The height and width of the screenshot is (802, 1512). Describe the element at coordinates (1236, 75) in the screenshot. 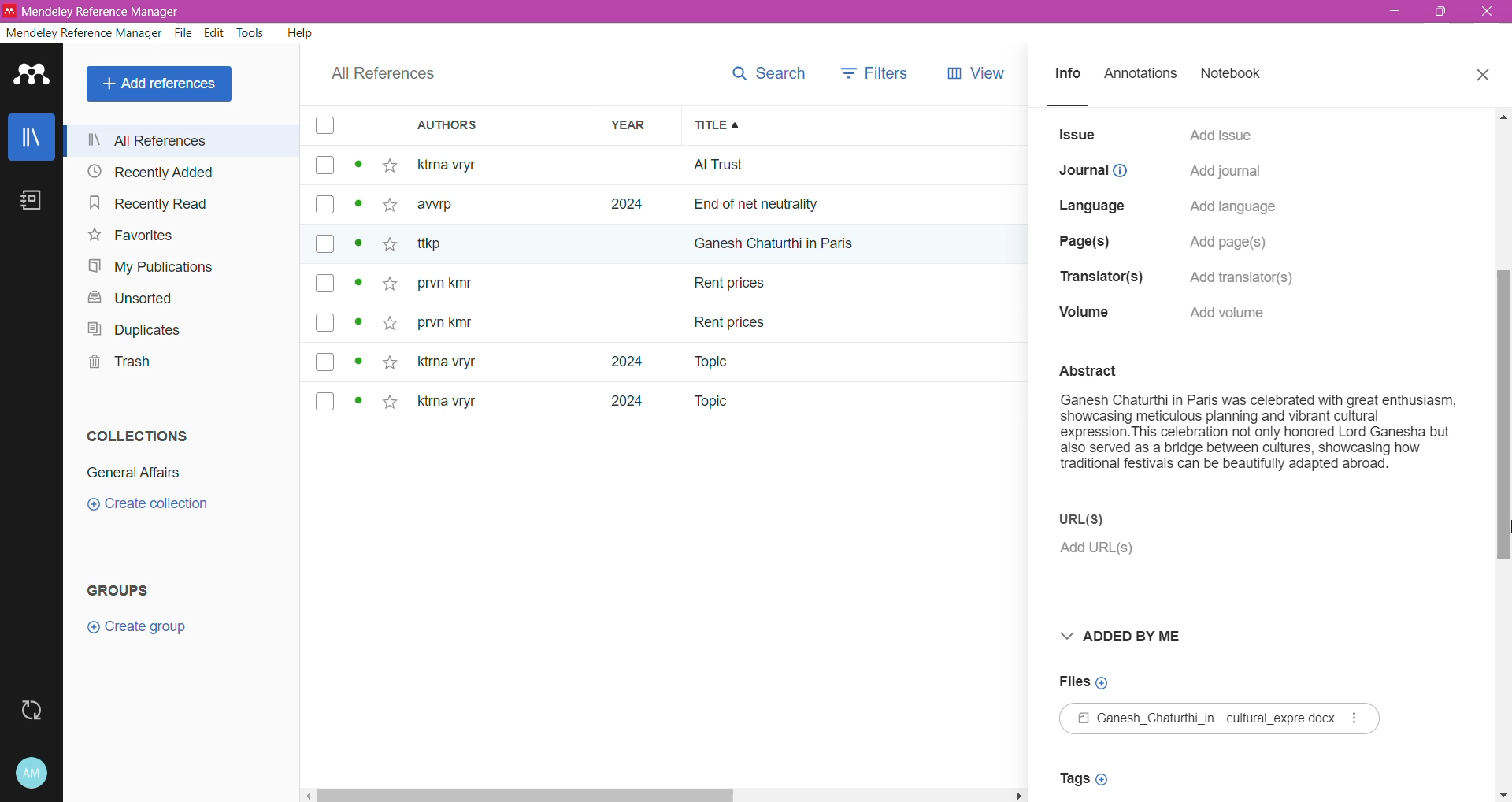

I see `Notebook` at that location.